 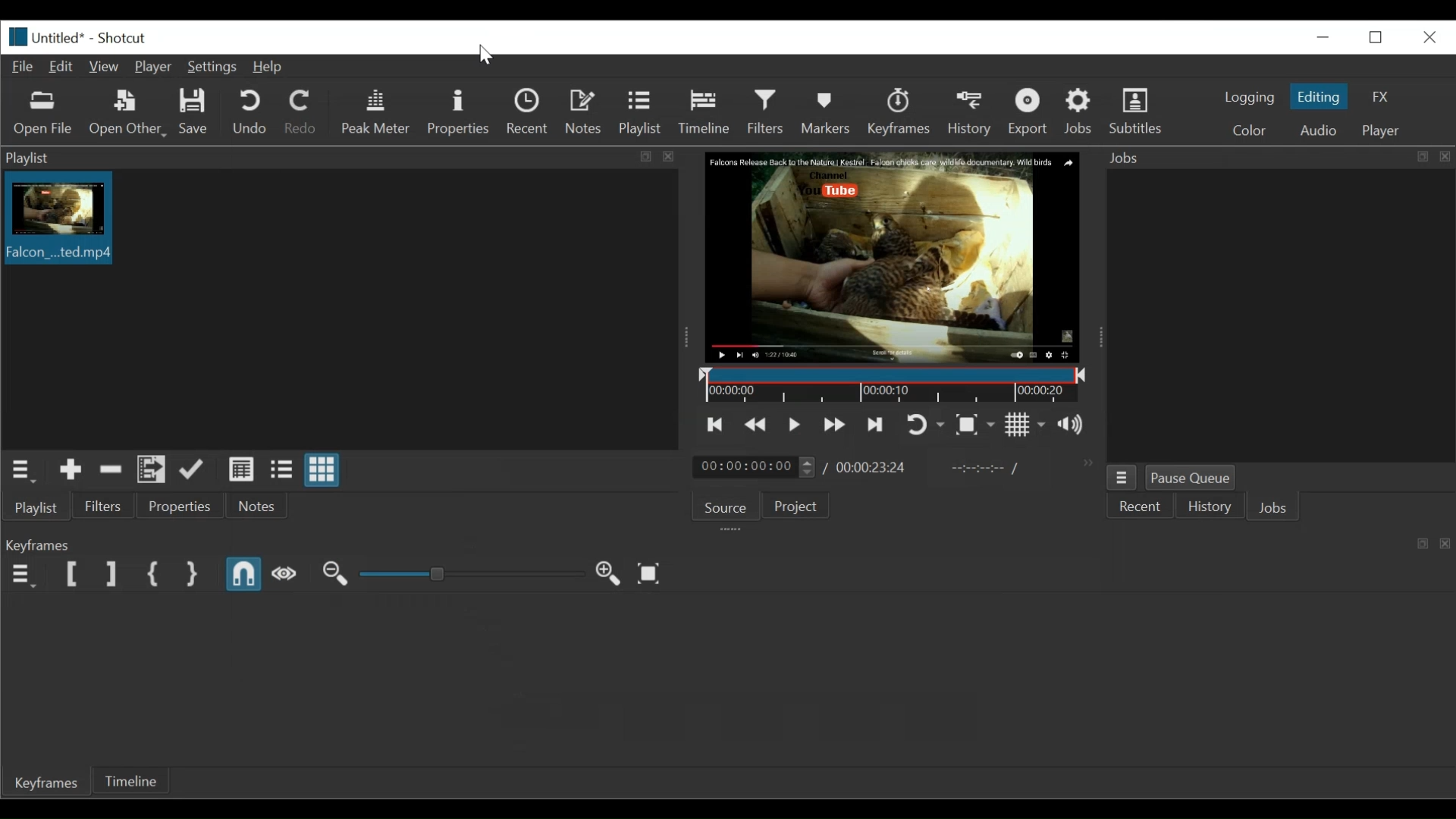 I want to click on Keyframe, so click(x=899, y=113).